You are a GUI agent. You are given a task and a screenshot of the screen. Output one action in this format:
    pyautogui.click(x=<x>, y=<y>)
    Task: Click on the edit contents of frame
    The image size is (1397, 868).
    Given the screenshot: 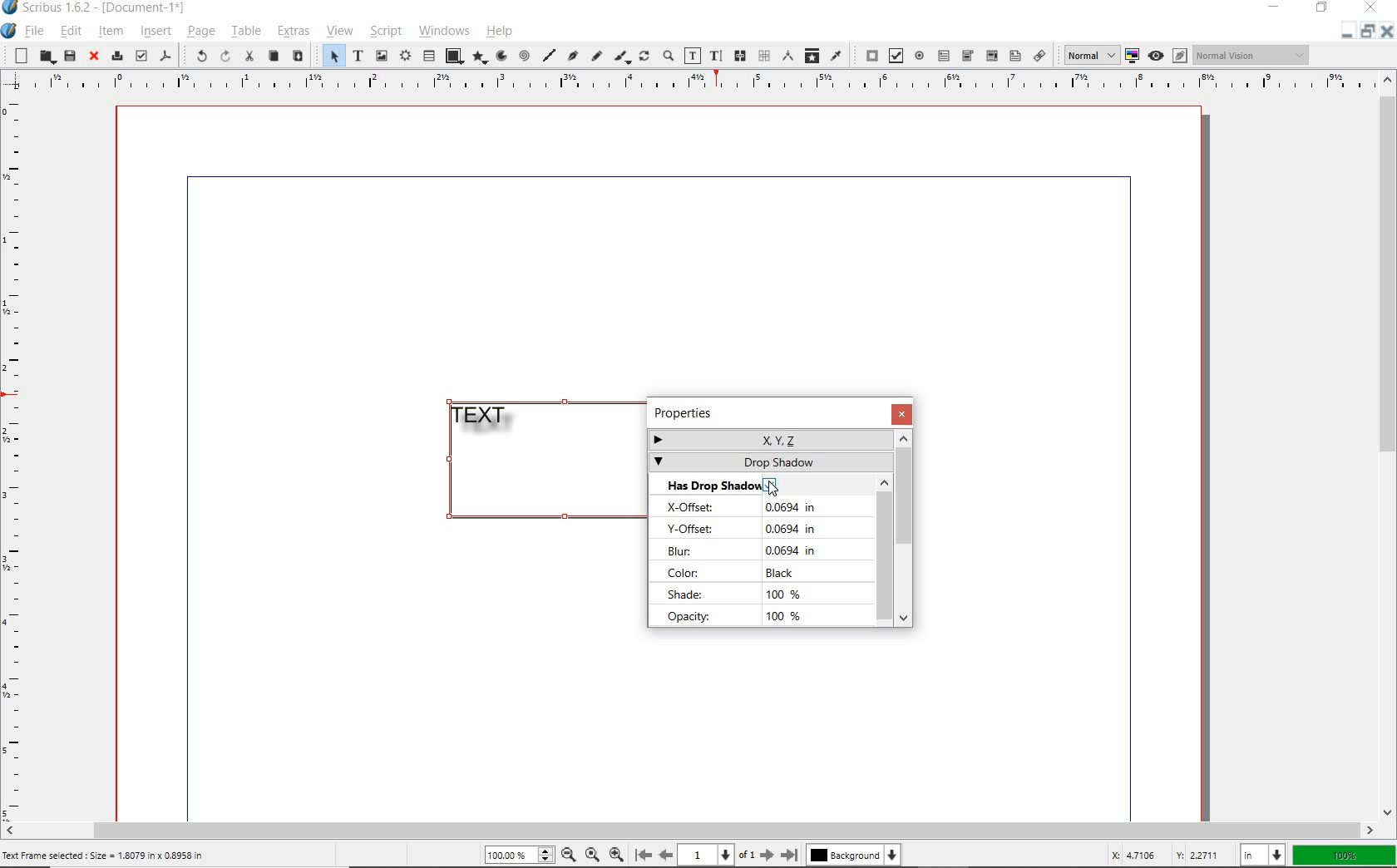 What is the action you would take?
    pyautogui.click(x=692, y=57)
    